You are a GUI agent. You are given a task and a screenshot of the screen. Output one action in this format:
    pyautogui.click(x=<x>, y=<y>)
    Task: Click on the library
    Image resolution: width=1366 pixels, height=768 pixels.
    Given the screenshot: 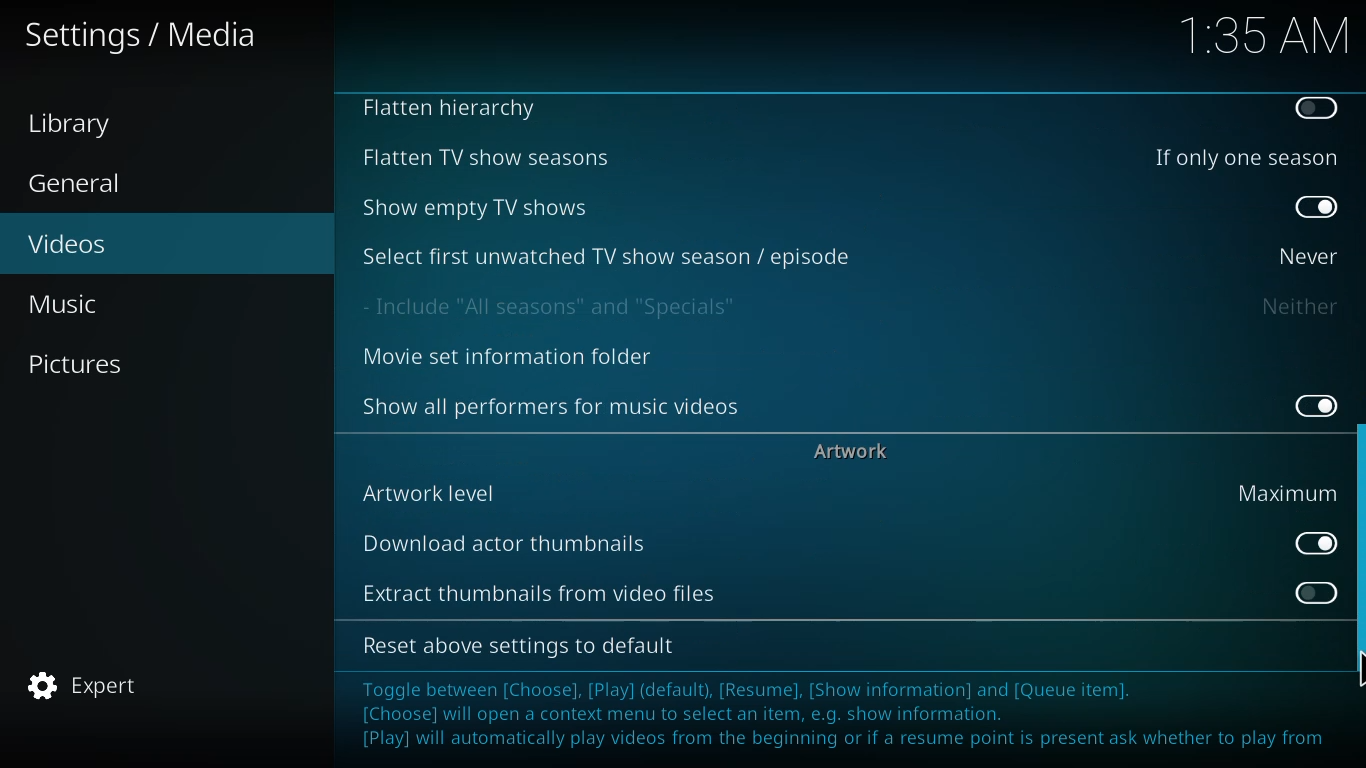 What is the action you would take?
    pyautogui.click(x=77, y=124)
    